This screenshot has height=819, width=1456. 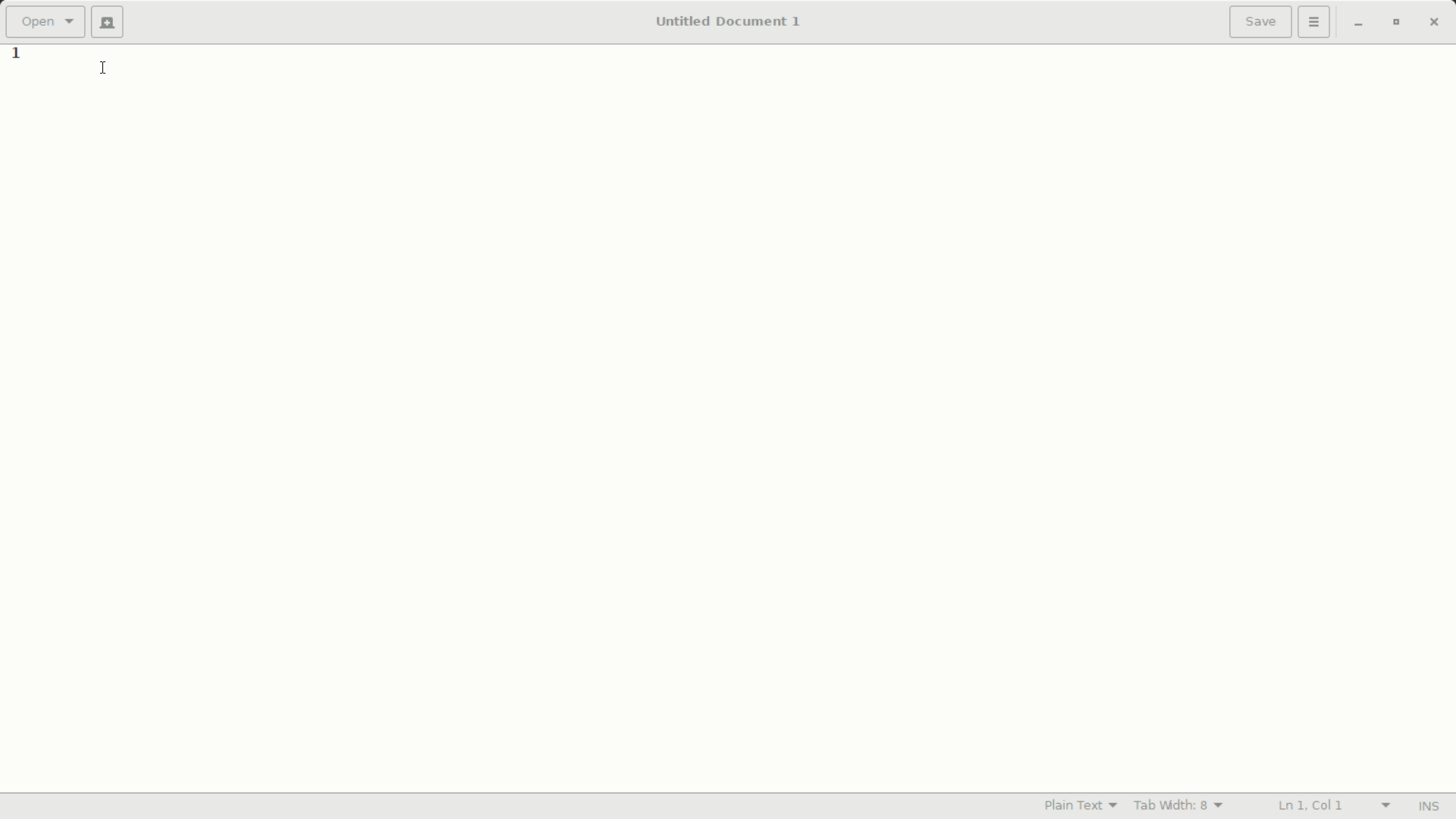 I want to click on close app, so click(x=1439, y=23).